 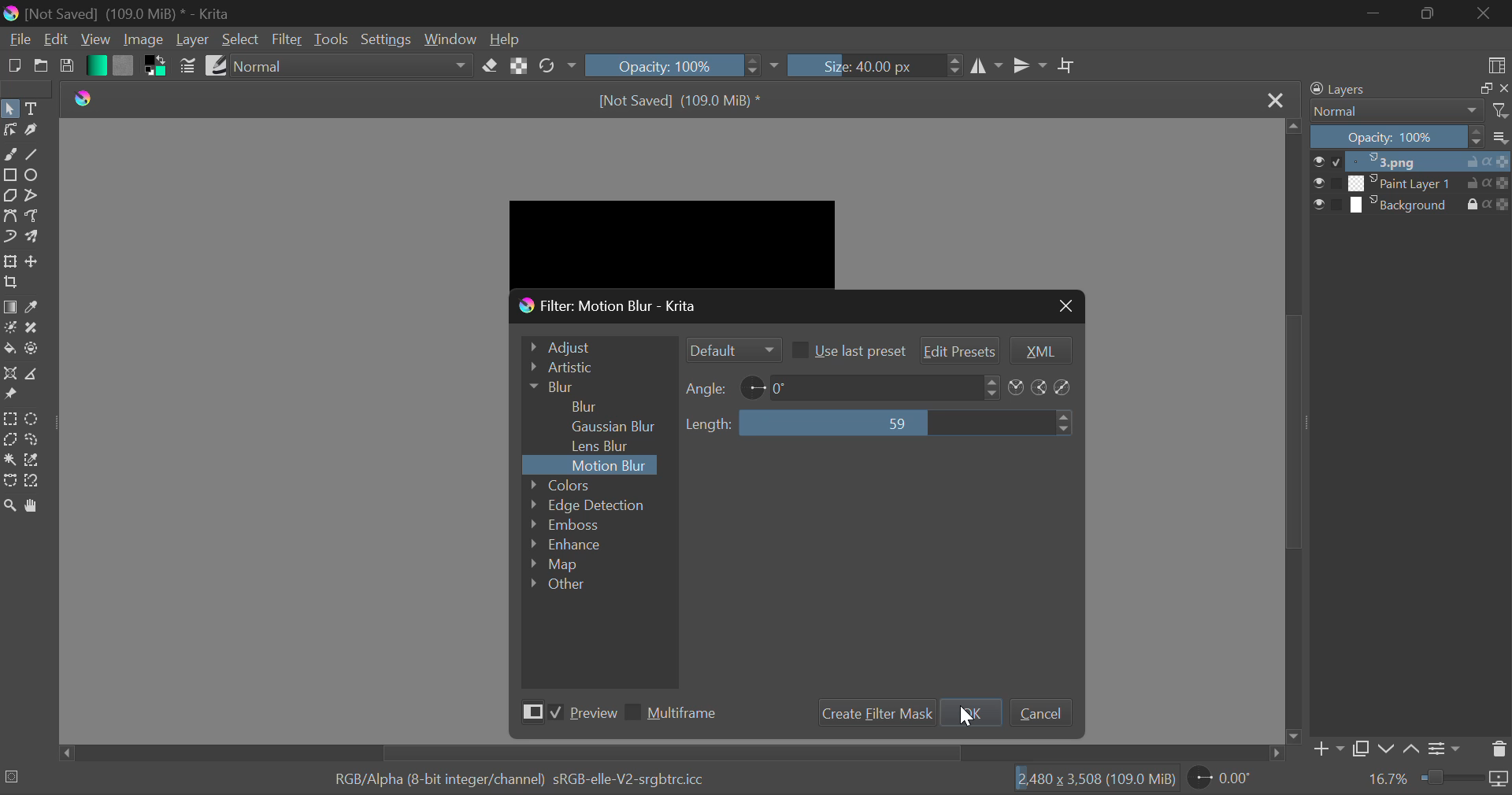 What do you see at coordinates (331, 40) in the screenshot?
I see `Tools` at bounding box center [331, 40].